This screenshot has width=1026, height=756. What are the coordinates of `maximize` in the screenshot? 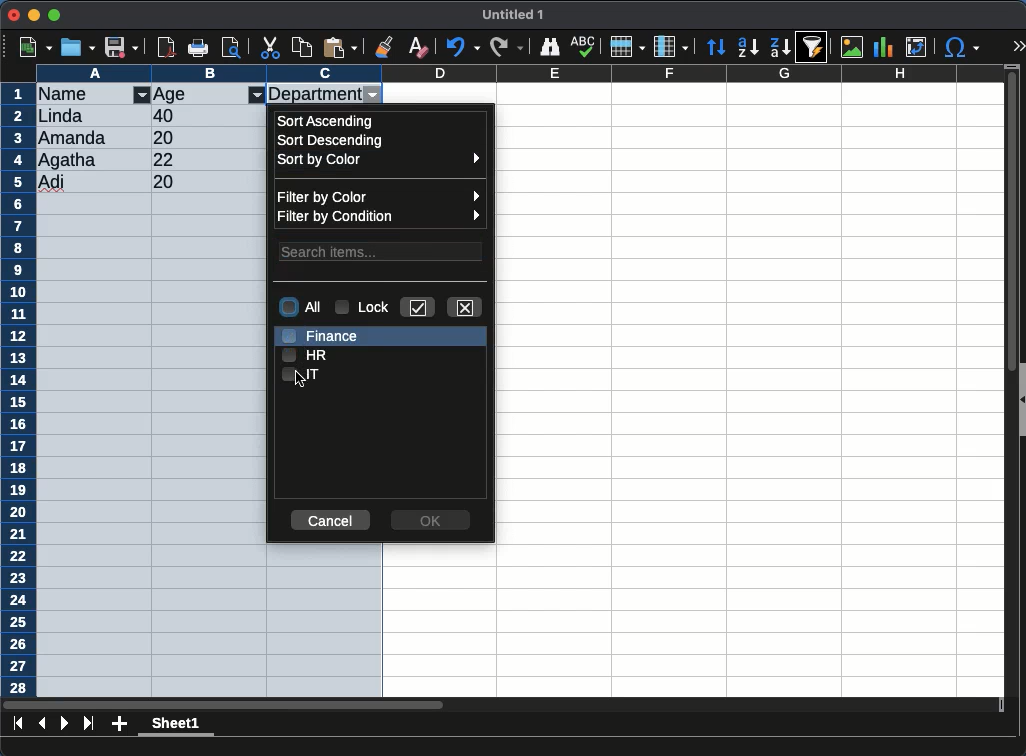 It's located at (56, 14).